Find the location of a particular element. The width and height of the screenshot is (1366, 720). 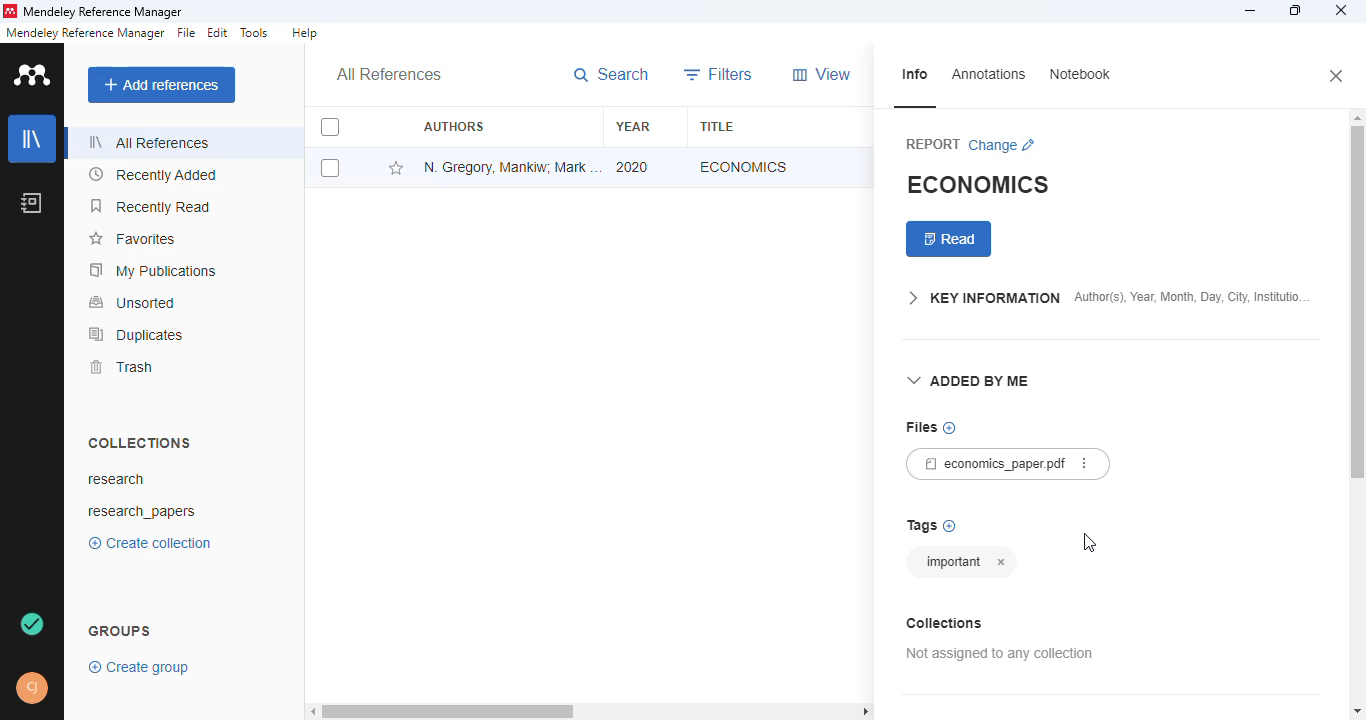

cursor is located at coordinates (1089, 543).